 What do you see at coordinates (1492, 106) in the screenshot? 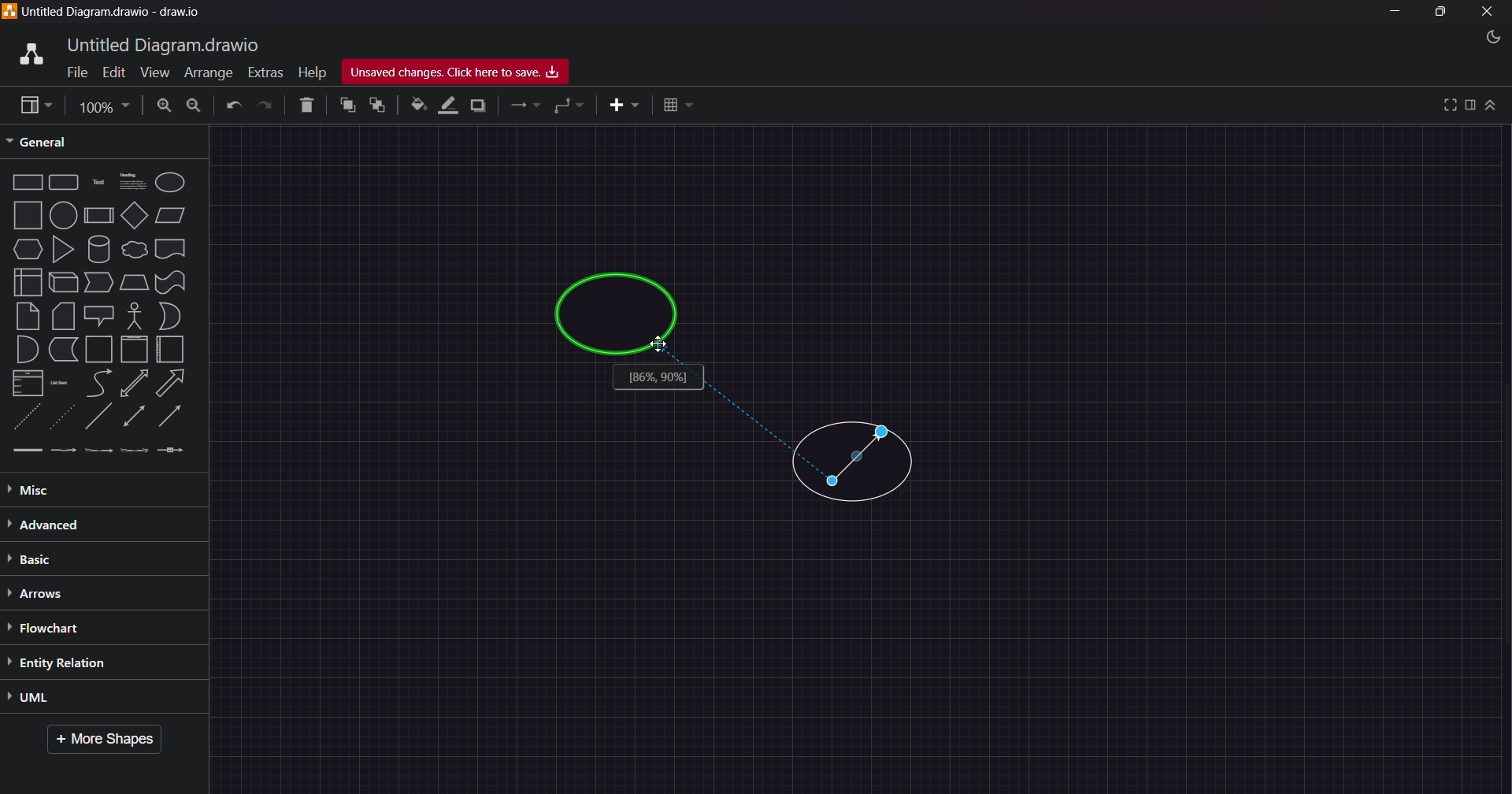
I see `collapse/expand` at bounding box center [1492, 106].